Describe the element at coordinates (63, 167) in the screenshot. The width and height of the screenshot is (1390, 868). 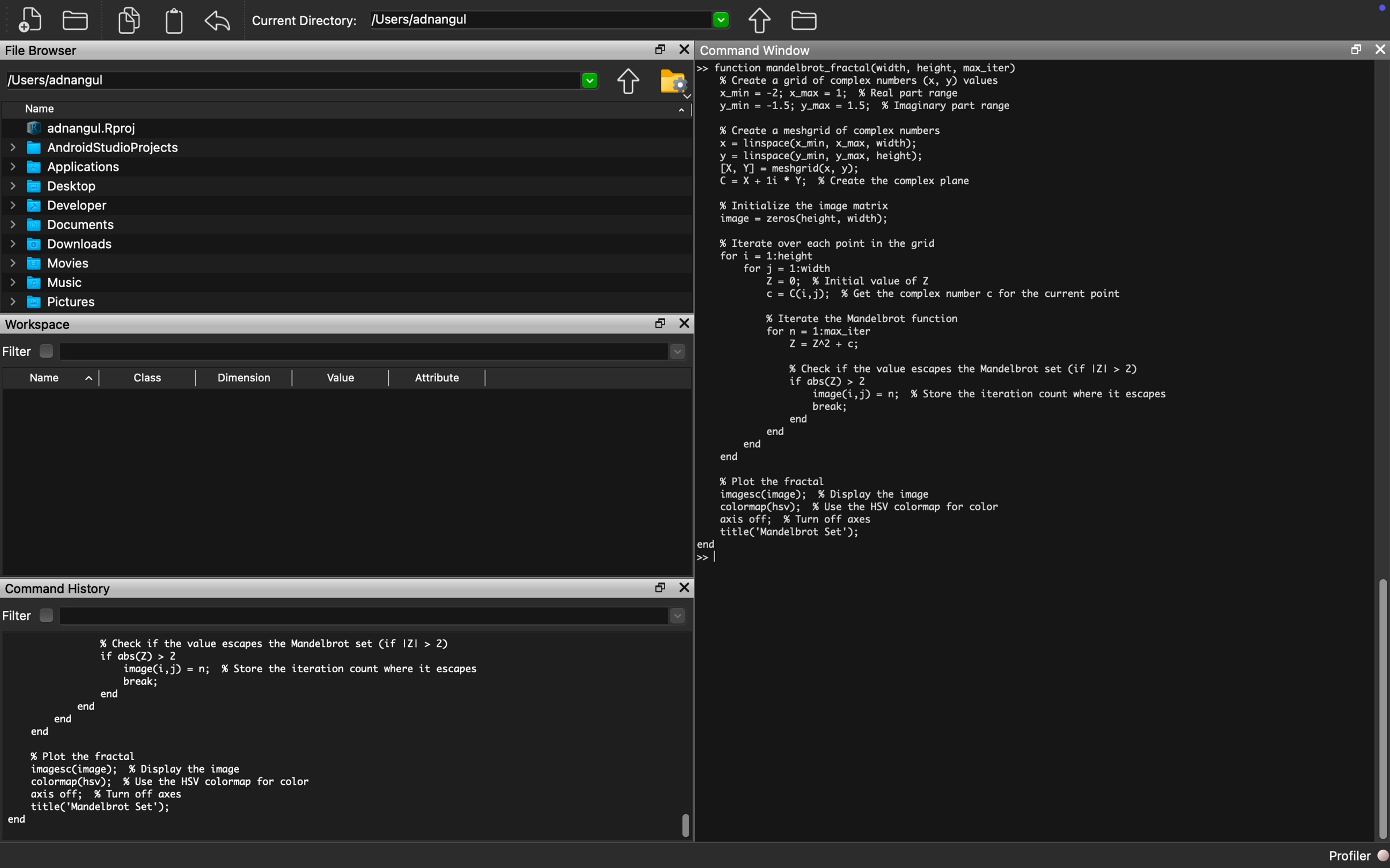
I see `Applications` at that location.